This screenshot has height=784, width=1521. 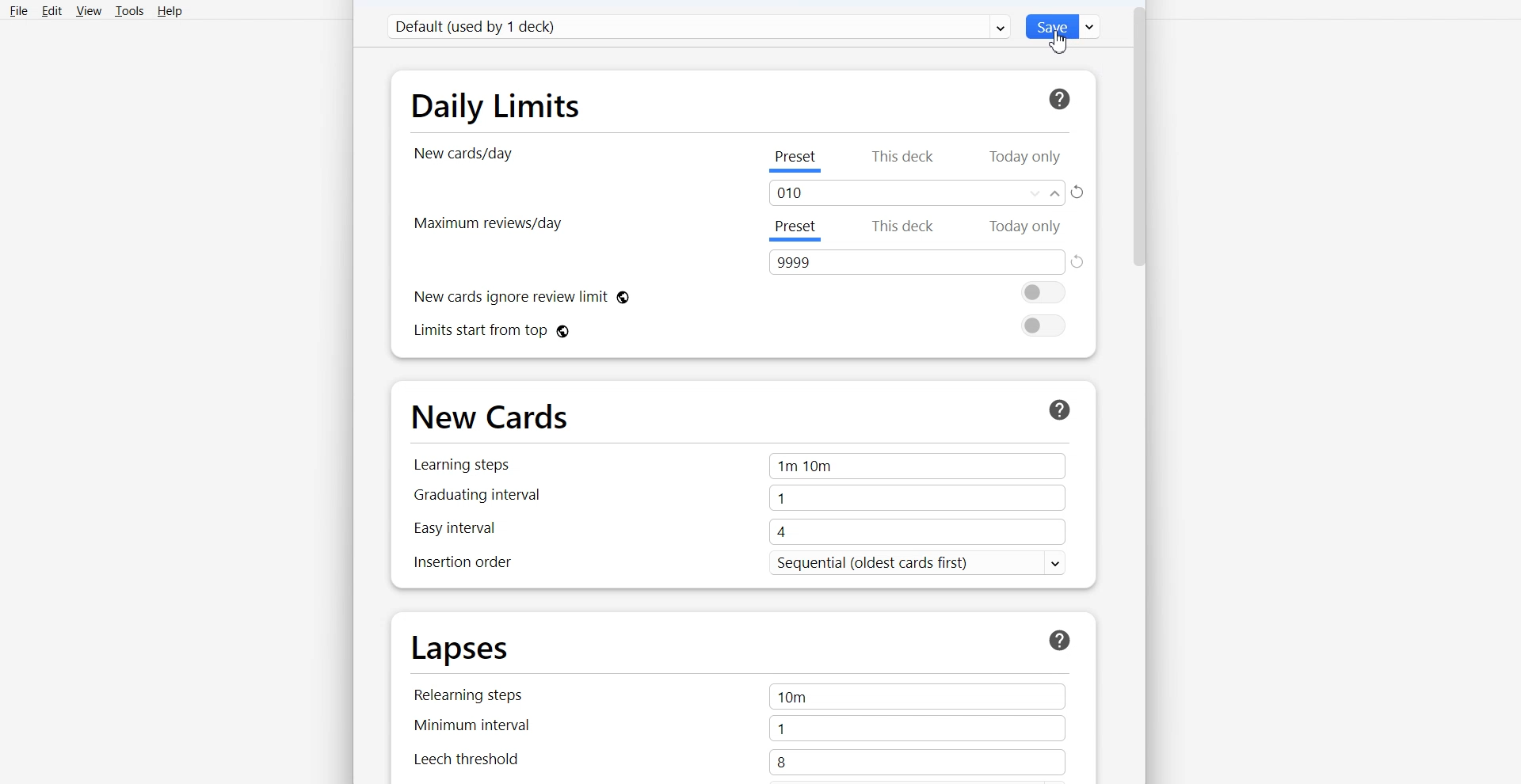 What do you see at coordinates (168, 11) in the screenshot?
I see `Help` at bounding box center [168, 11].